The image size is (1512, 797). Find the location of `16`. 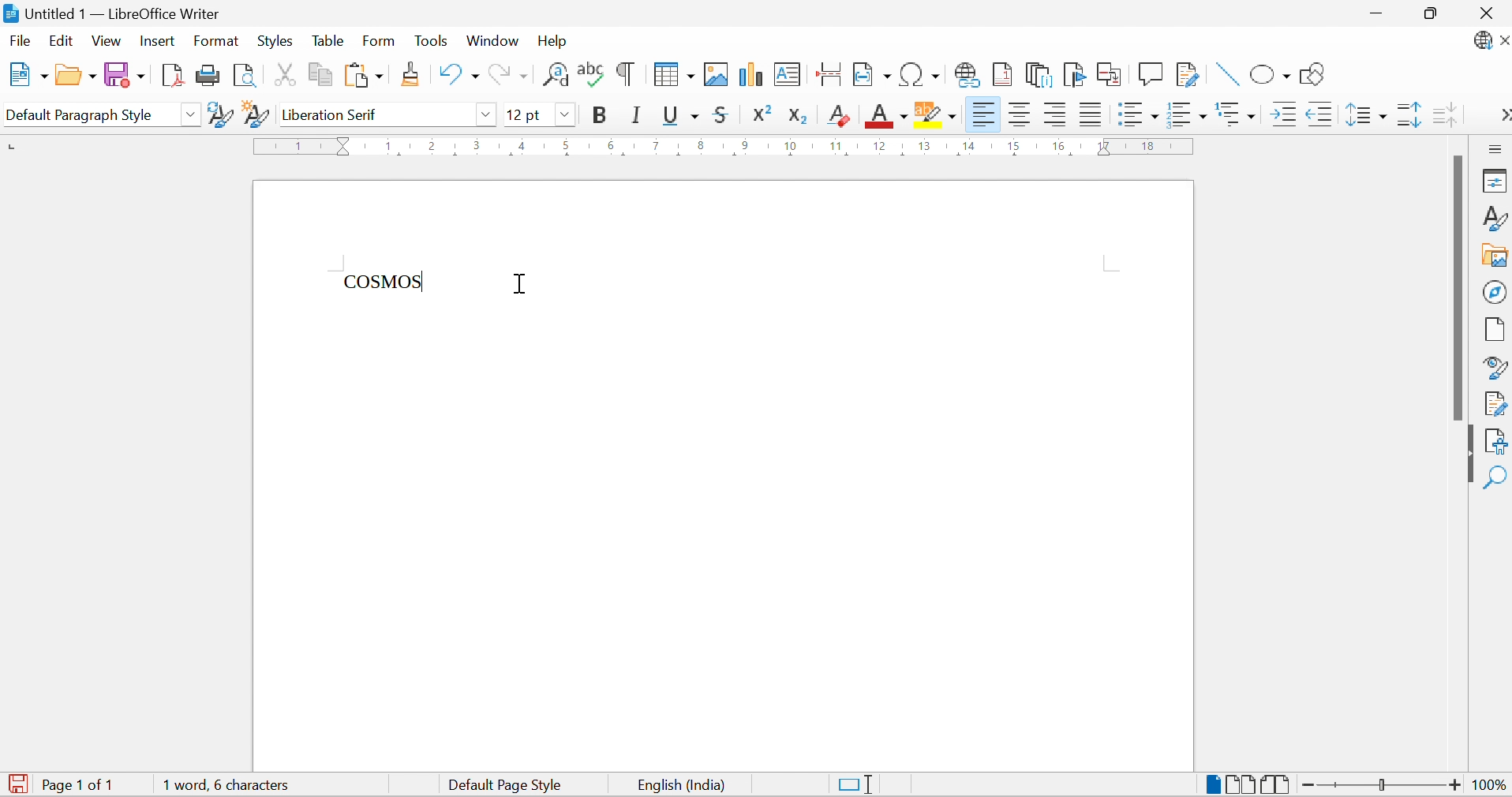

16 is located at coordinates (1057, 147).